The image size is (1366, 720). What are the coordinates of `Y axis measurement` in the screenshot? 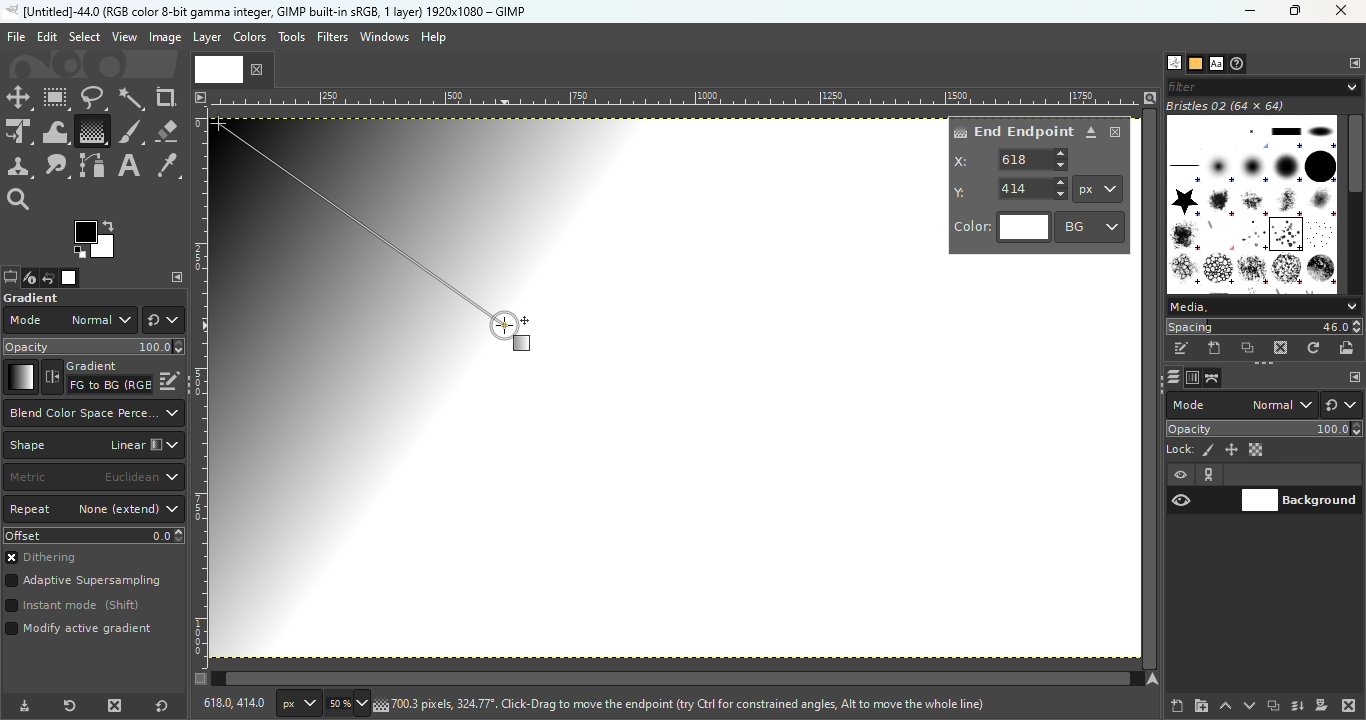 It's located at (1011, 187).